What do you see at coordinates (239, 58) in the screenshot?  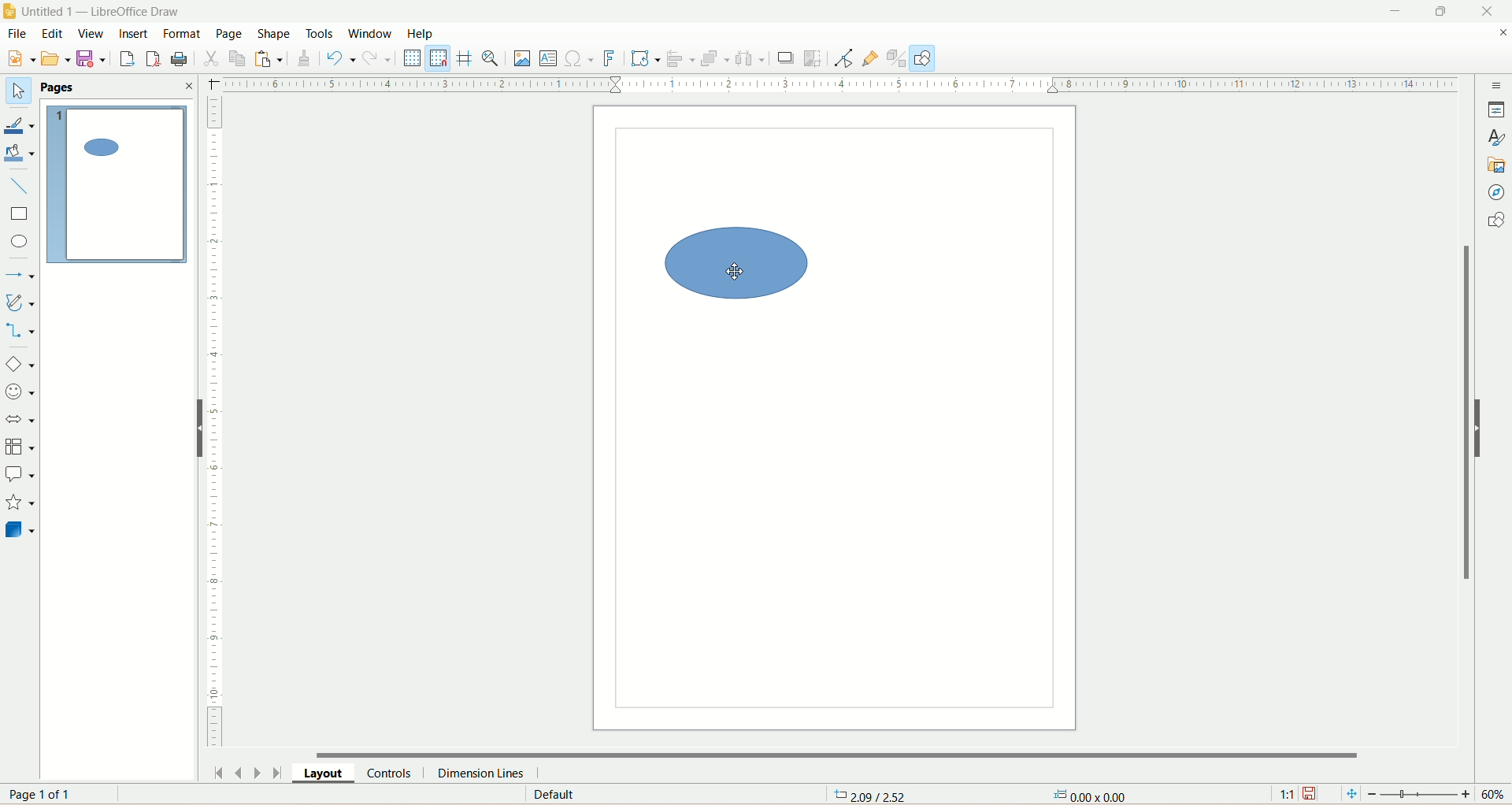 I see `copy` at bounding box center [239, 58].